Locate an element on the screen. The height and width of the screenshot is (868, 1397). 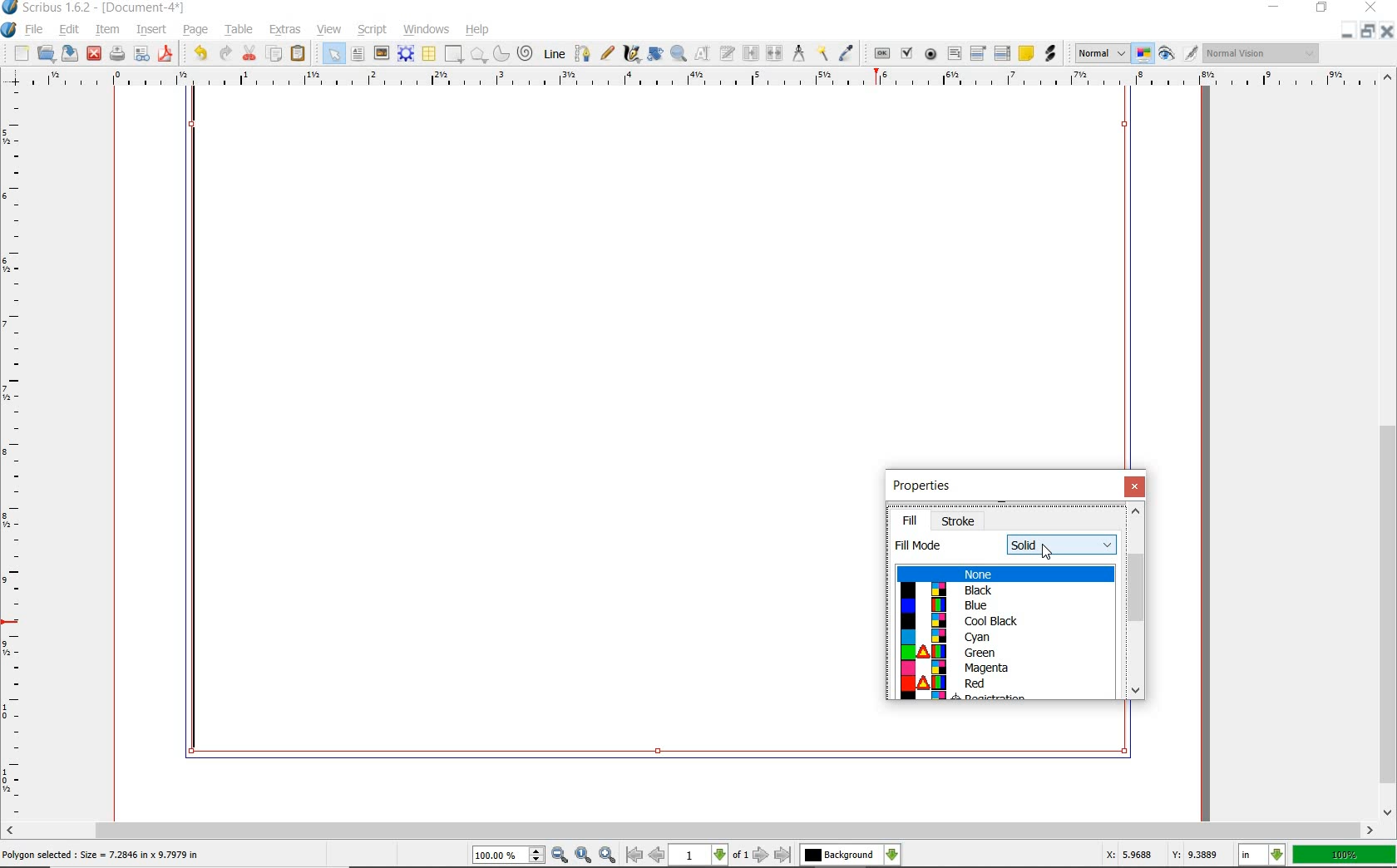
ruler is located at coordinates (701, 79).